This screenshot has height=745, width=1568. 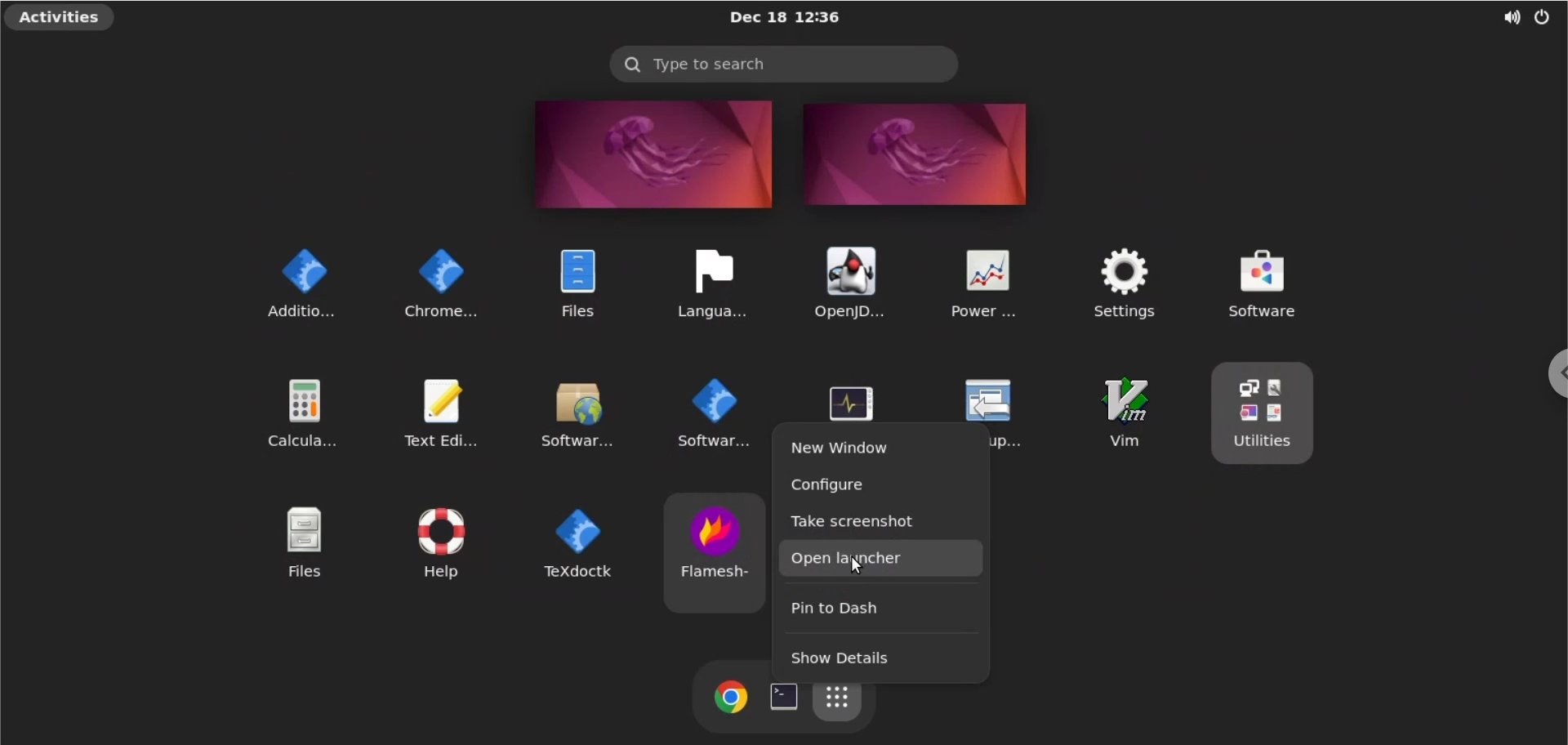 I want to click on sound settings menu, so click(x=1499, y=15).